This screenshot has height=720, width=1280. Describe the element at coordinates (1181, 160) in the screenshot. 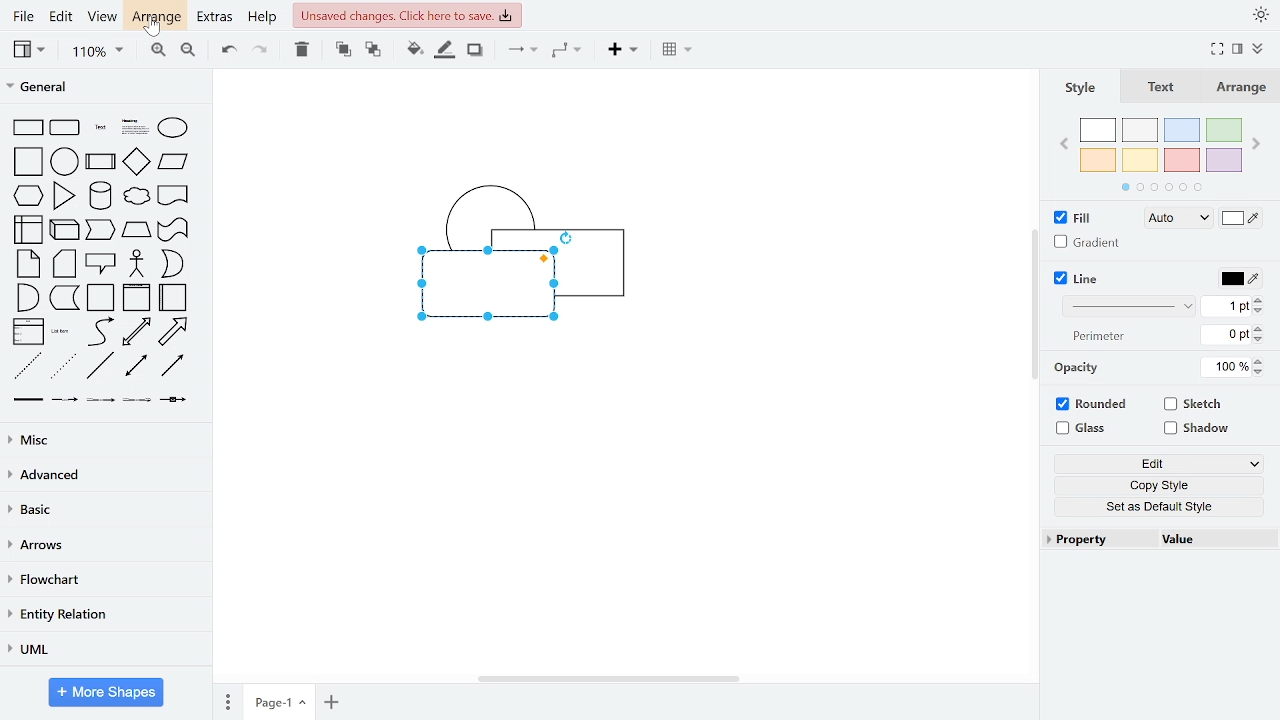

I see `red` at that location.